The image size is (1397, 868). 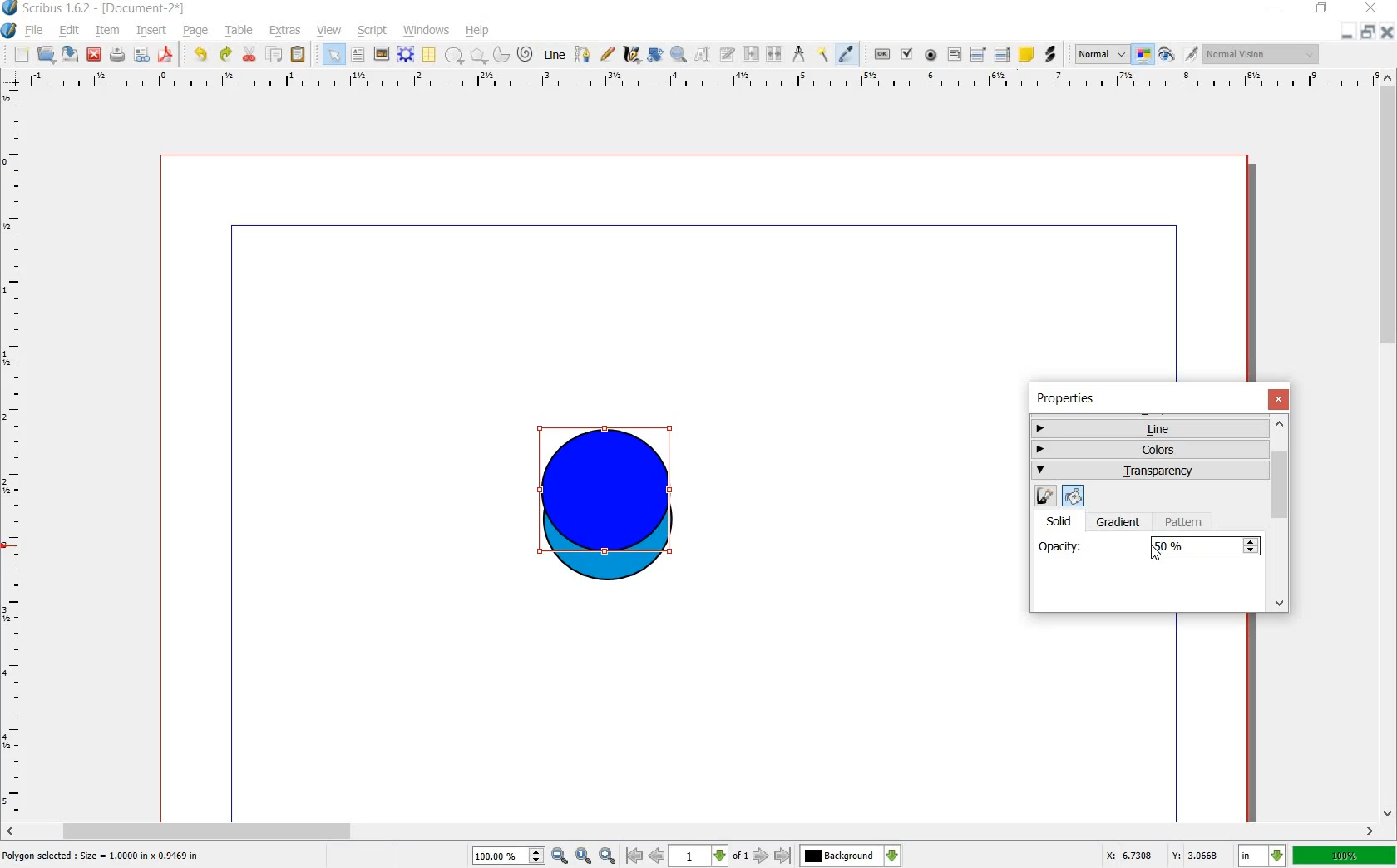 What do you see at coordinates (679, 57) in the screenshot?
I see `zoom in or out` at bounding box center [679, 57].